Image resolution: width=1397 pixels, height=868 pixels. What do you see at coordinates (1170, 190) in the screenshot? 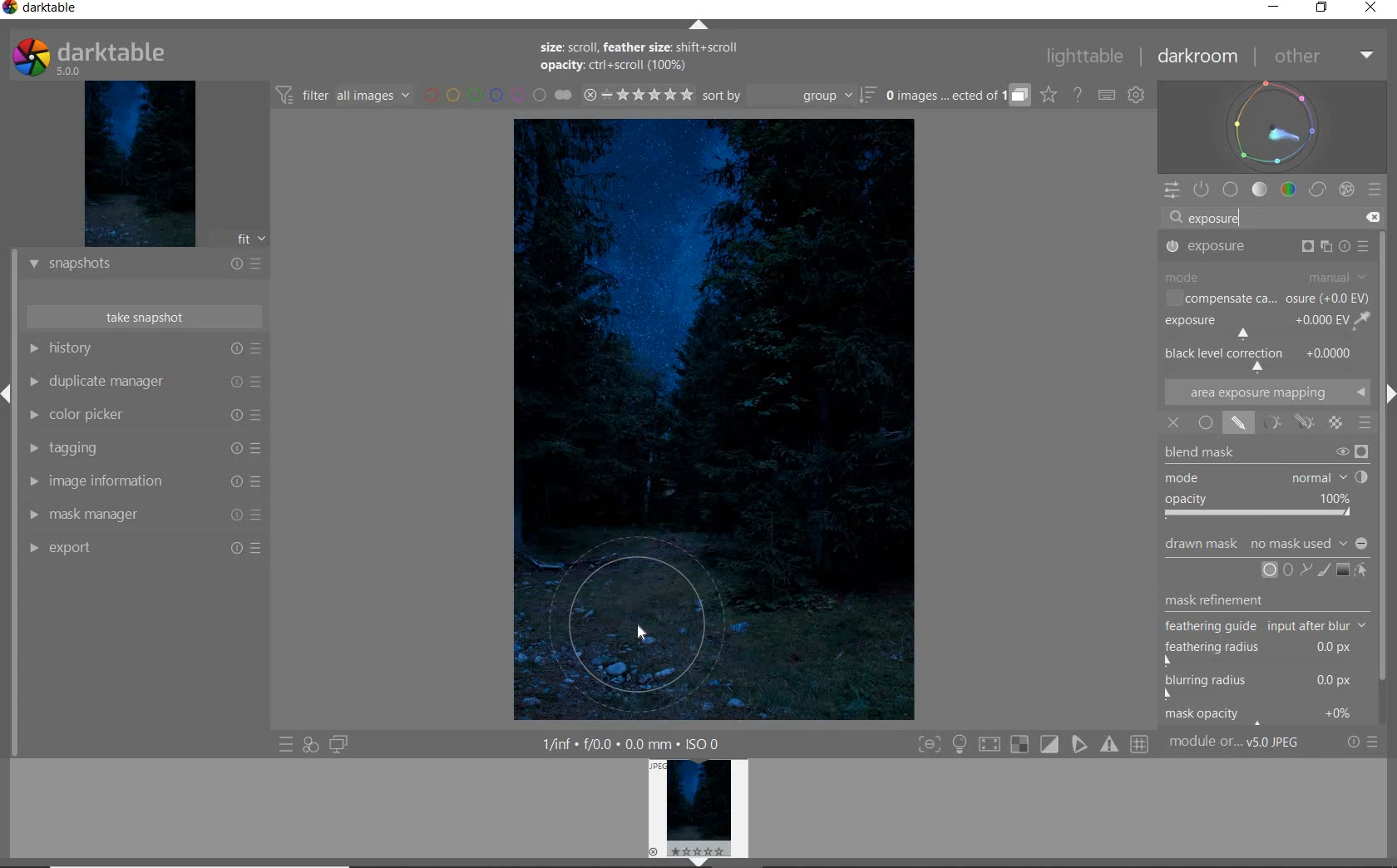
I see `QUICK ACCESS PANEL` at bounding box center [1170, 190].